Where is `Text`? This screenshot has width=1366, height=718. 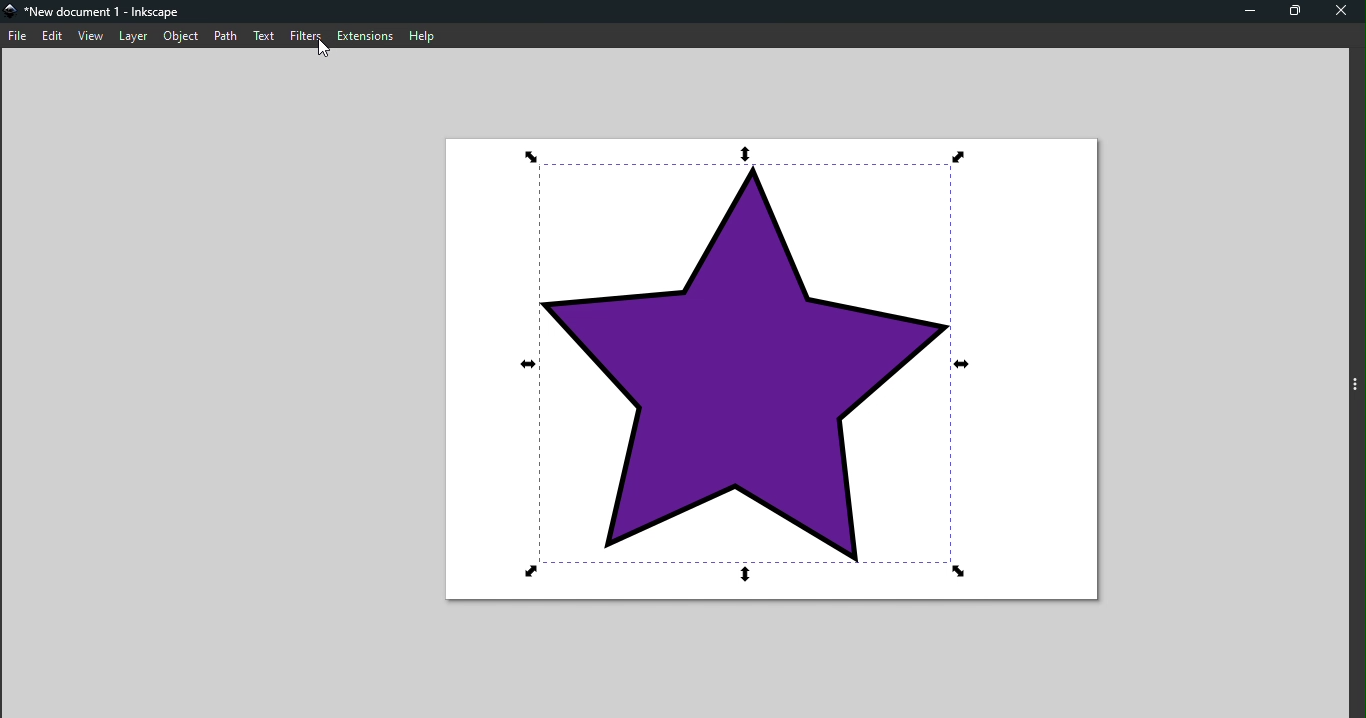 Text is located at coordinates (264, 37).